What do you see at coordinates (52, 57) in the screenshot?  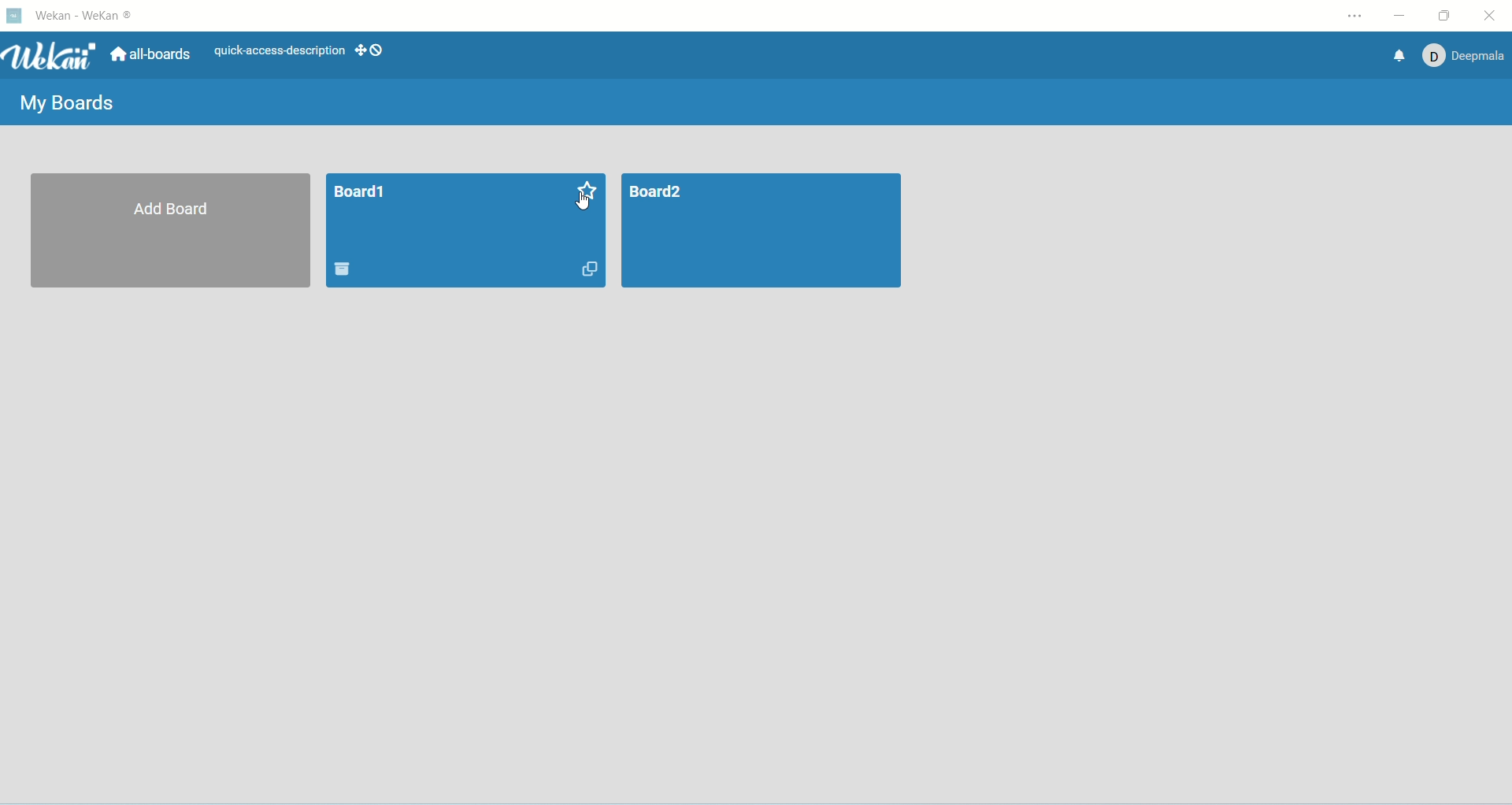 I see `Wekan` at bounding box center [52, 57].